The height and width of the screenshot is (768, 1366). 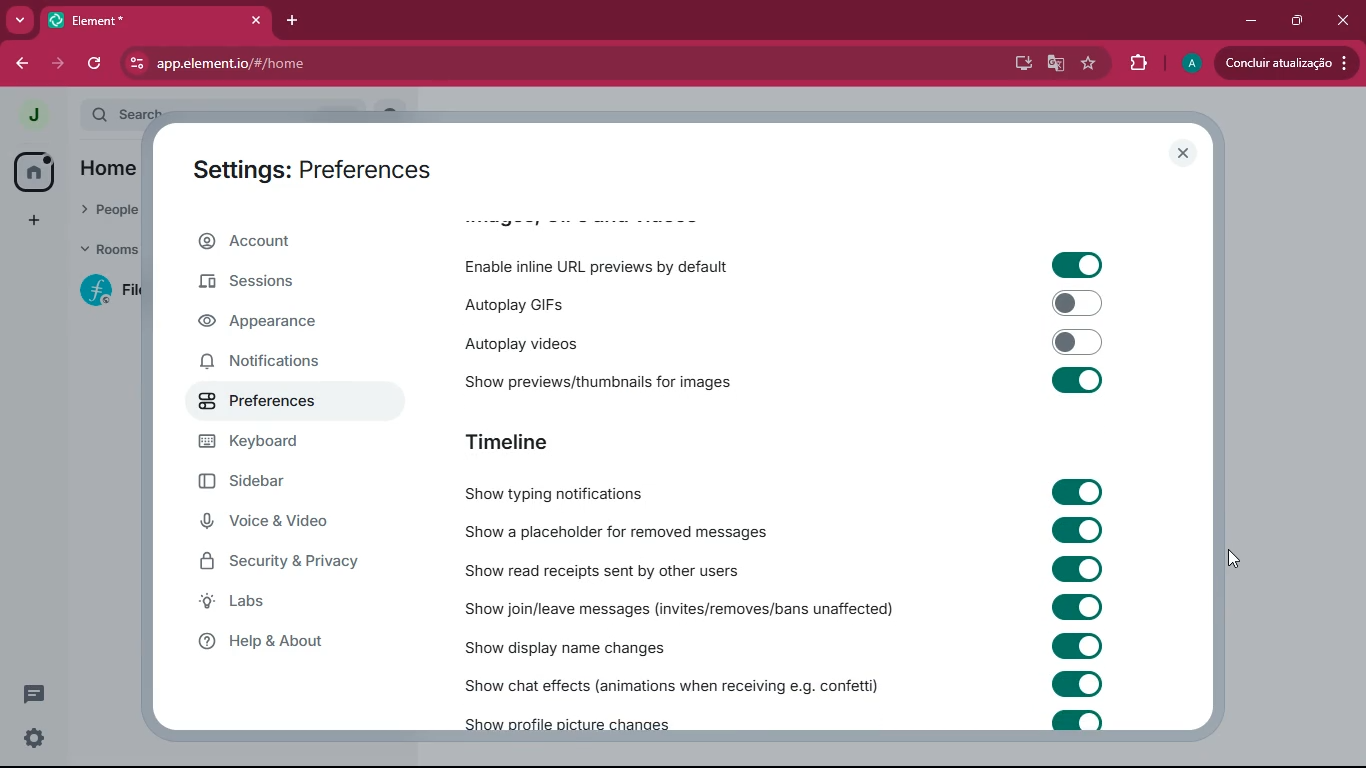 I want to click on toggle on/off, so click(x=1077, y=720).